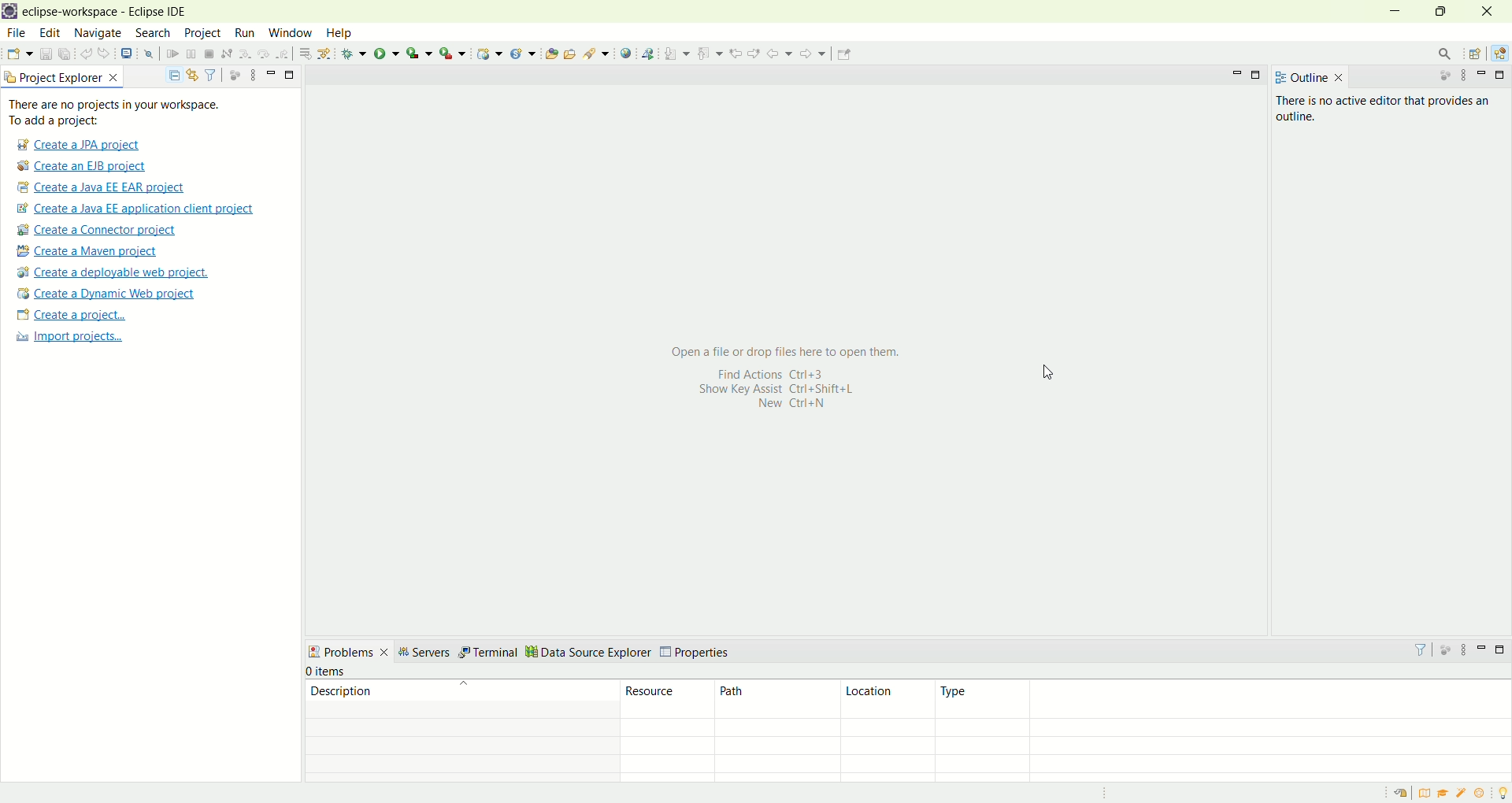 This screenshot has width=1512, height=803. I want to click on description, so click(464, 690).